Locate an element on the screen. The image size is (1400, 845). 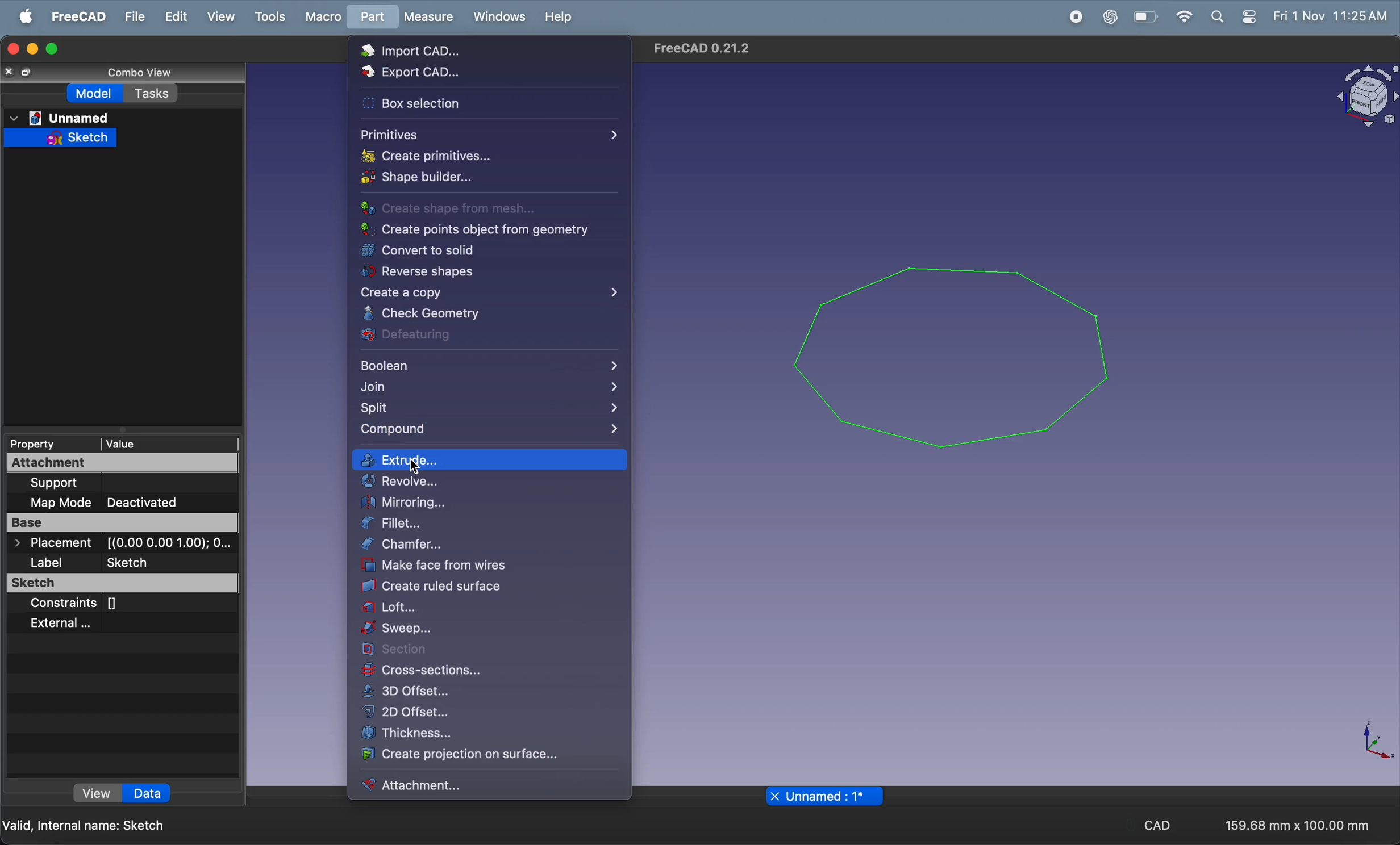
section is located at coordinates (488, 652).